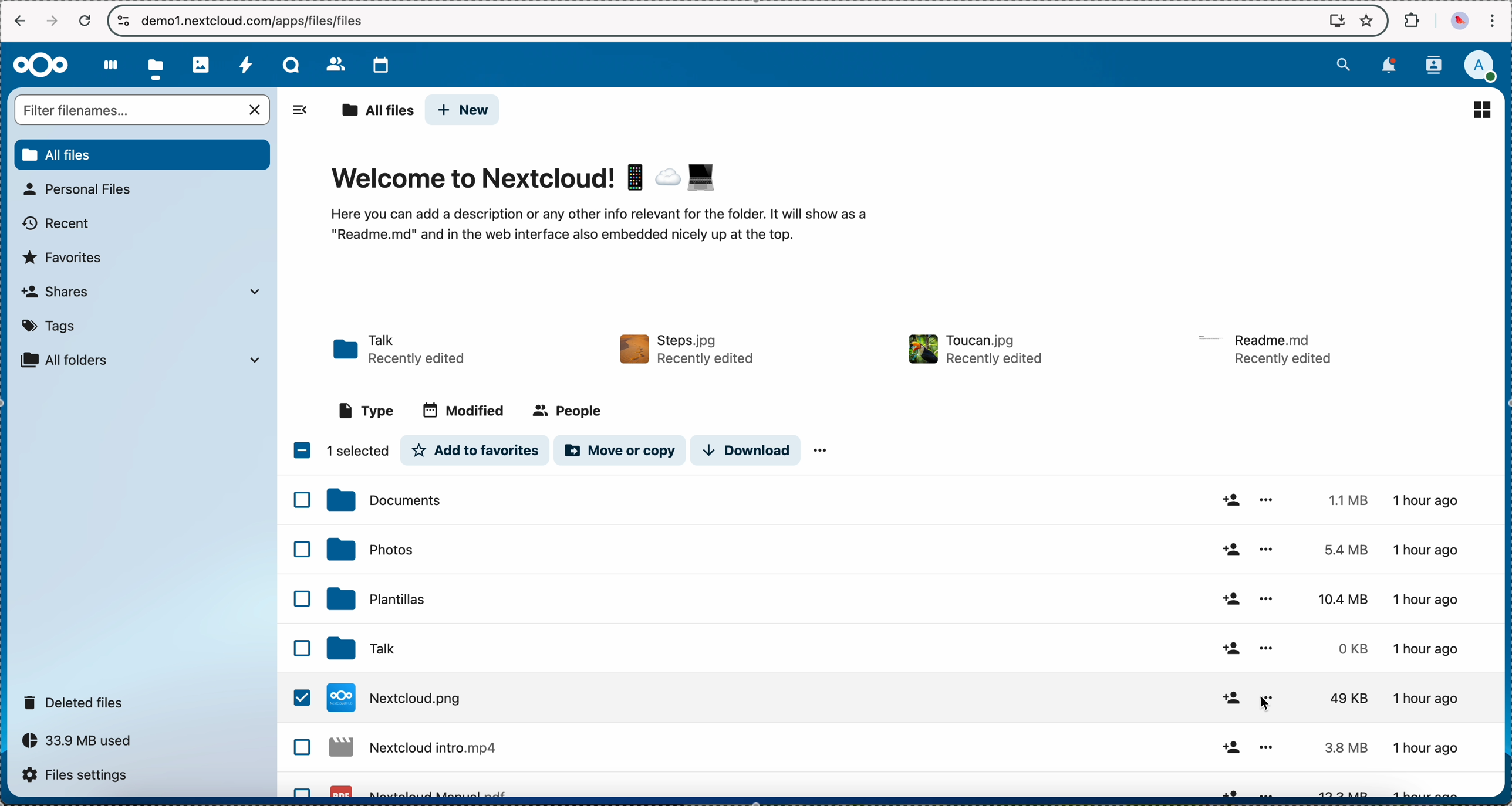 The height and width of the screenshot is (806, 1512). What do you see at coordinates (899, 790) in the screenshot?
I see `file` at bounding box center [899, 790].